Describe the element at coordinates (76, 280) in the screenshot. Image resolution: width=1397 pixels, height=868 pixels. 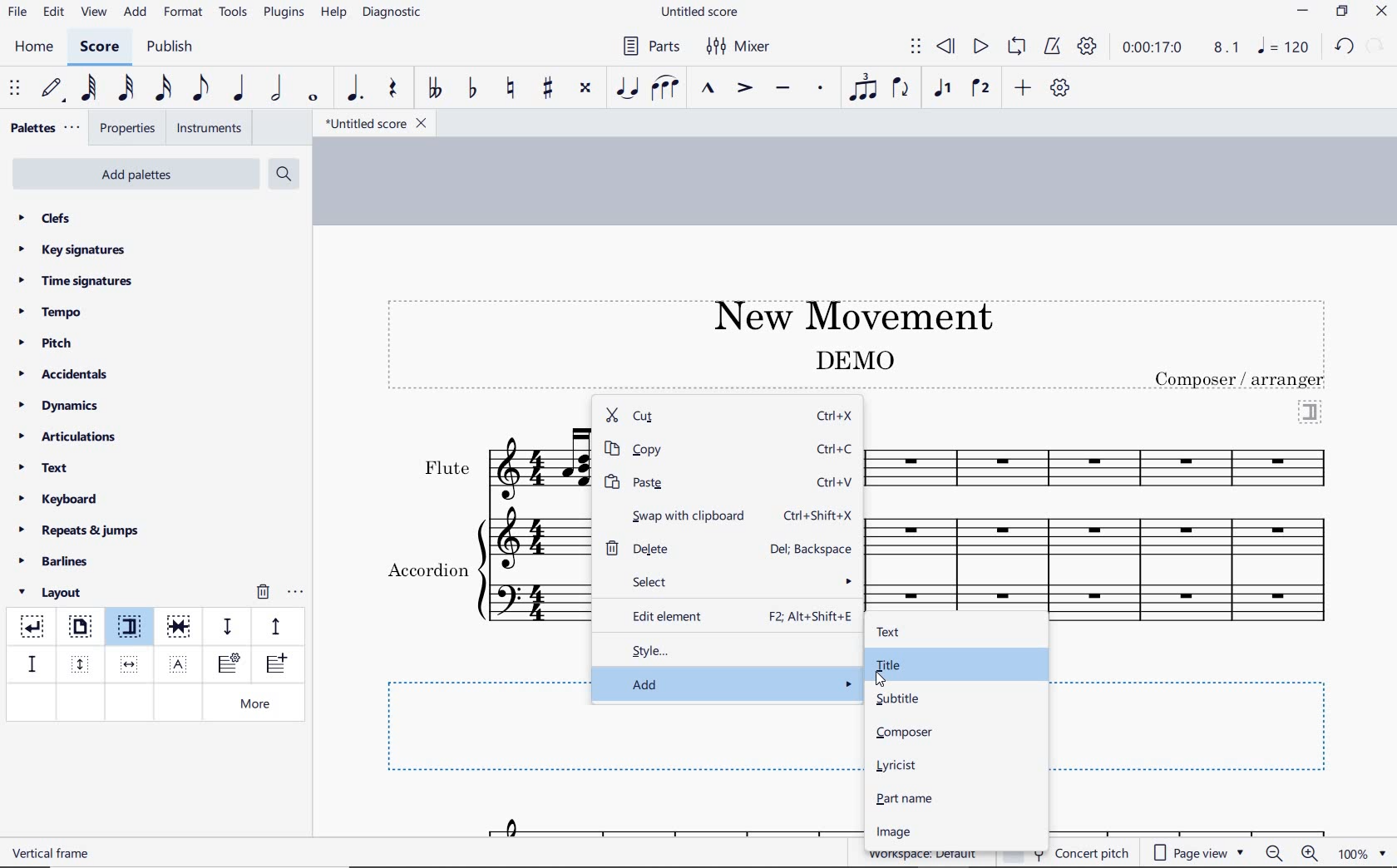
I see `time signatures` at that location.